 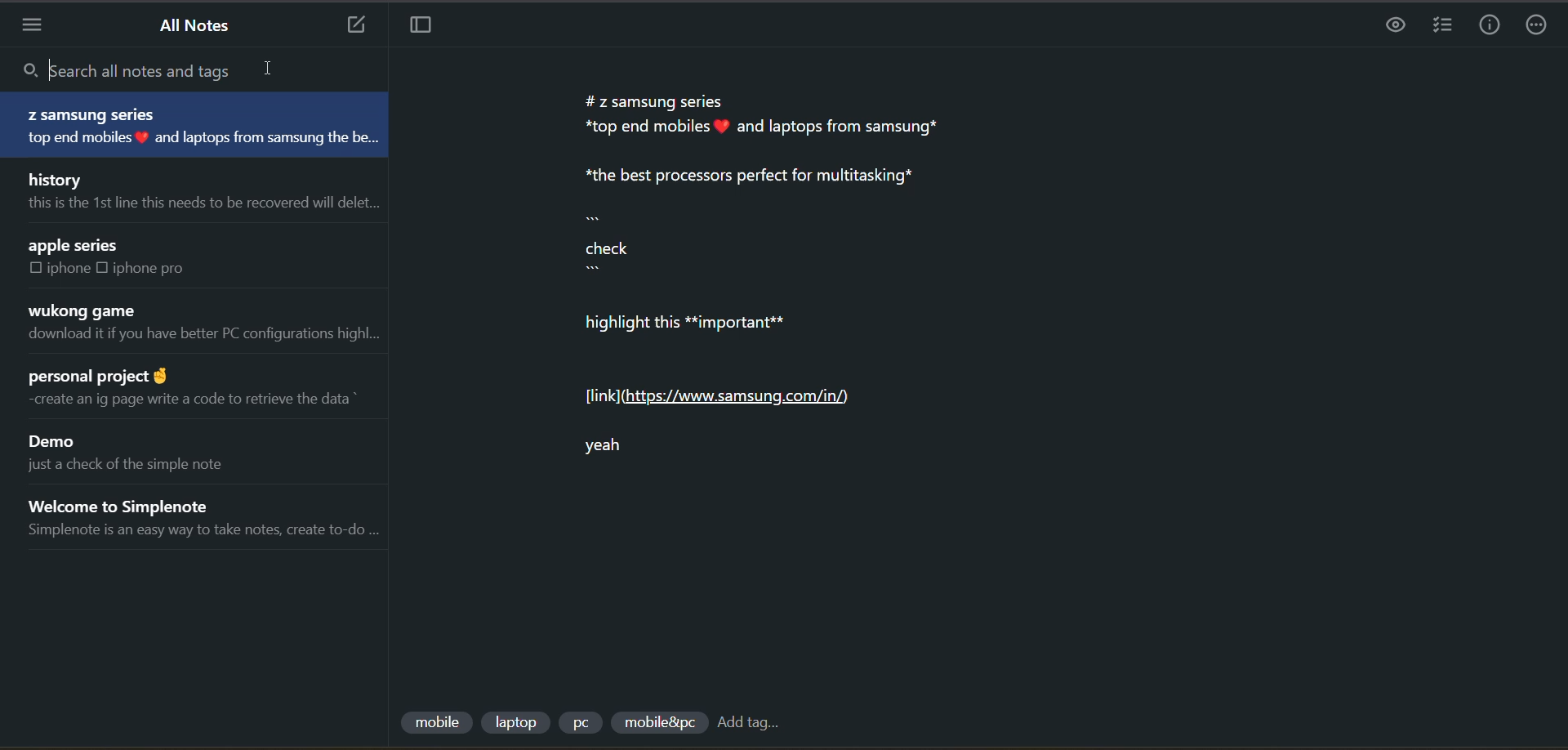 I want to click on [Op end mobiles * and laptops from samsung the be..., so click(x=209, y=136).